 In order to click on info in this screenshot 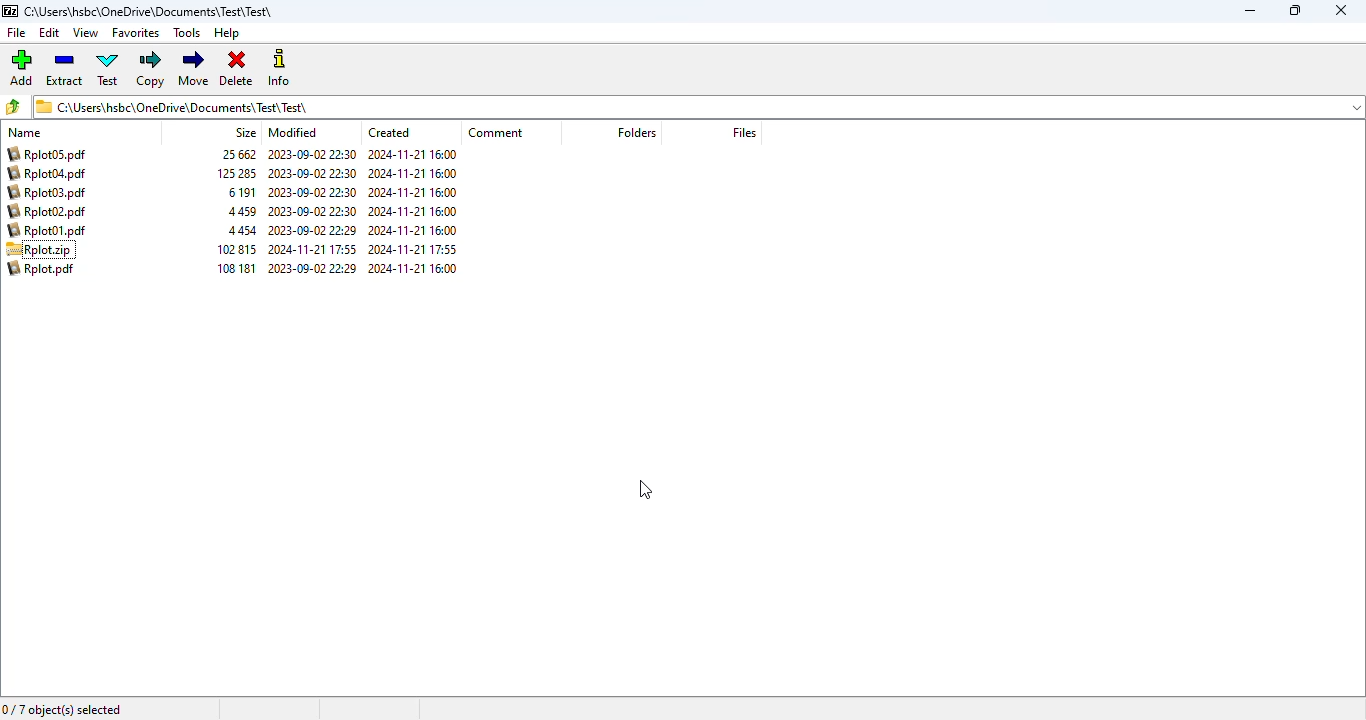, I will do `click(277, 67)`.